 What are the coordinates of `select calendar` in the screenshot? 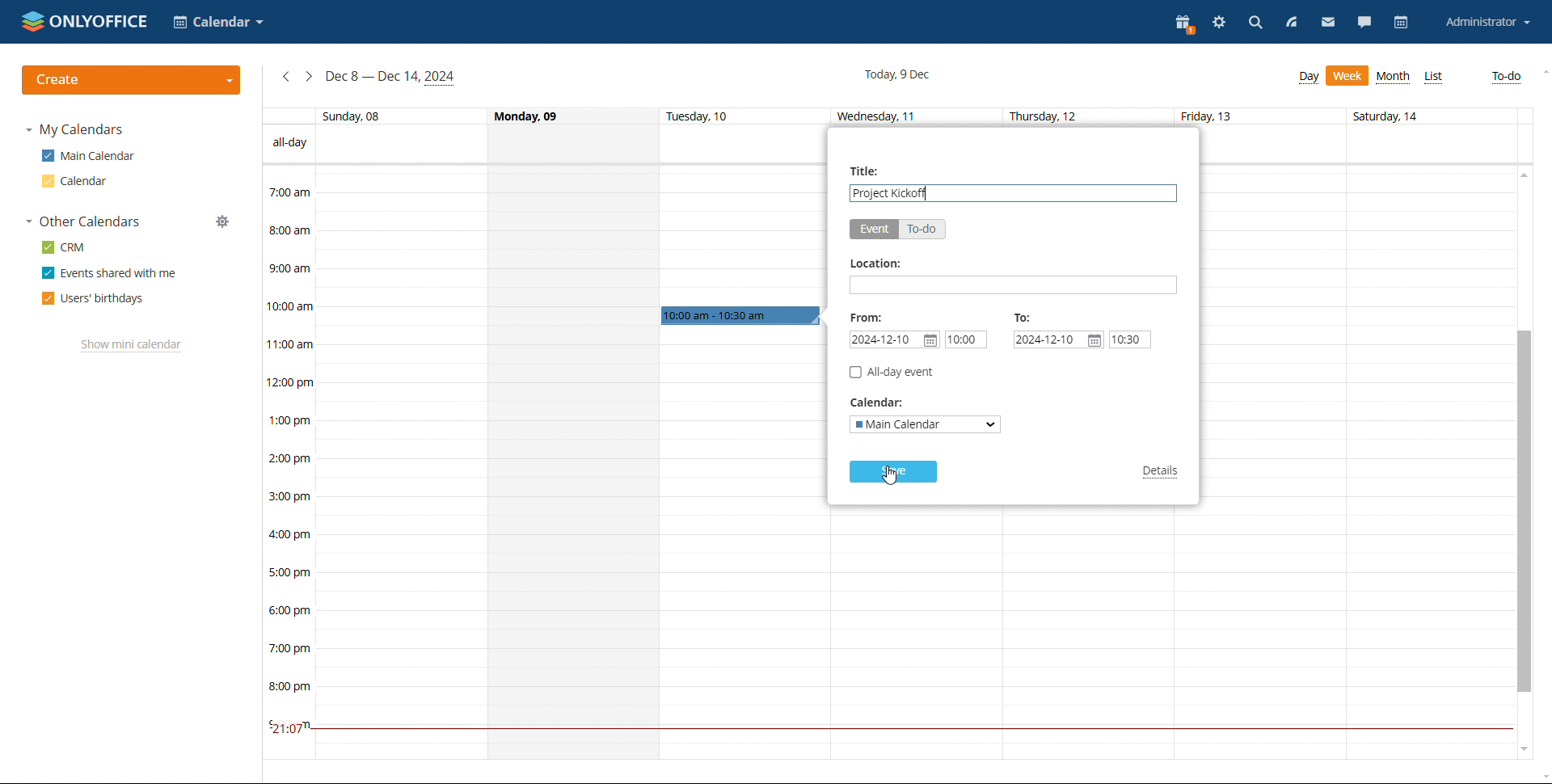 It's located at (926, 424).